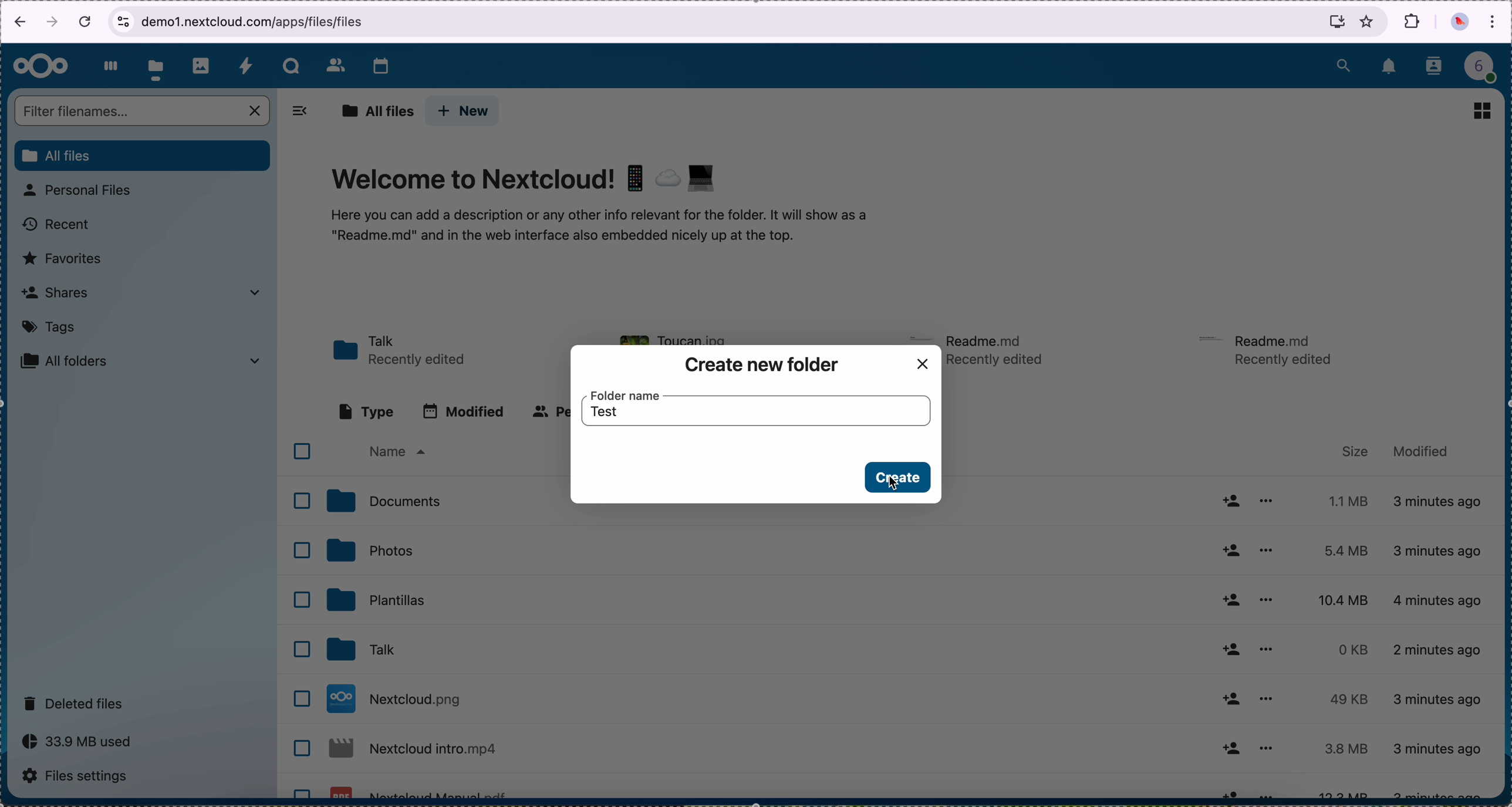 Image resolution: width=1512 pixels, height=807 pixels. What do you see at coordinates (58, 225) in the screenshot?
I see `recent` at bounding box center [58, 225].